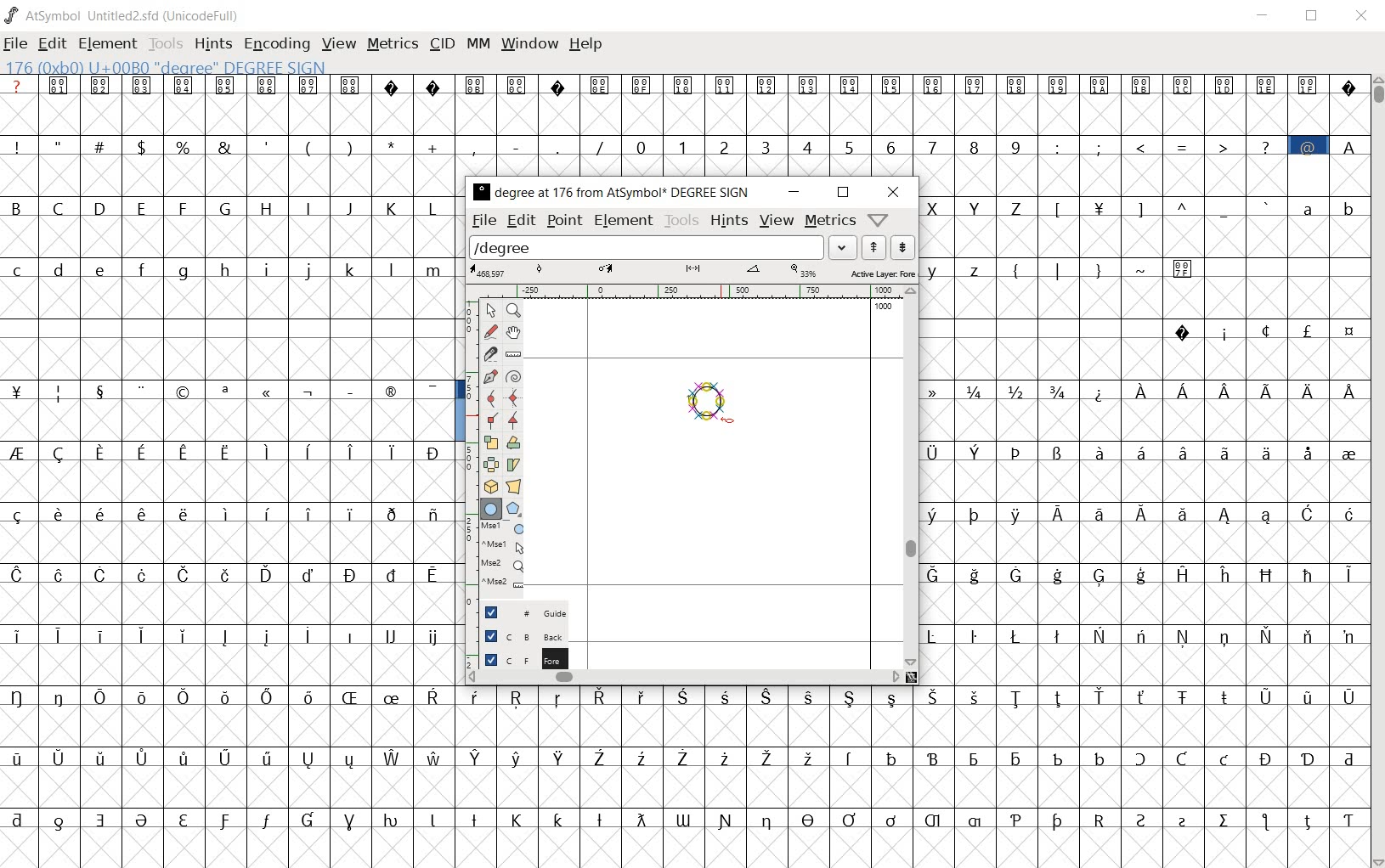 The width and height of the screenshot is (1385, 868). I want to click on empty glyph slots, so click(911, 786).